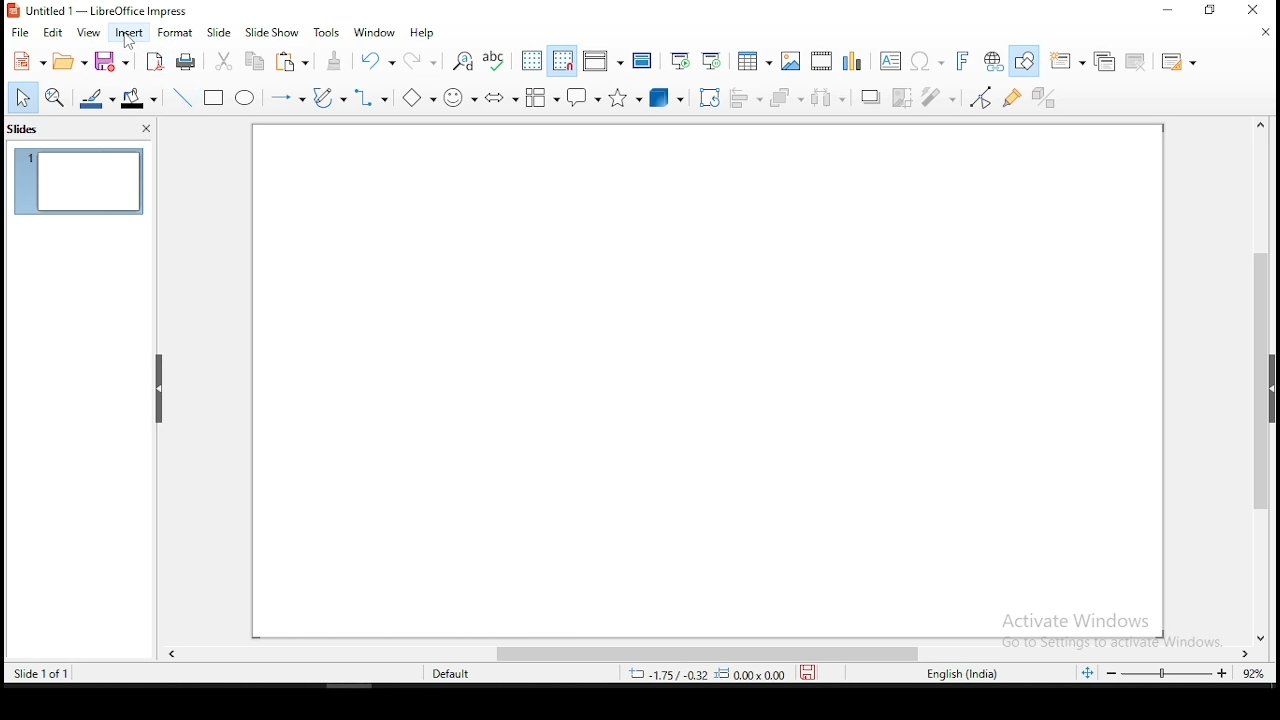 The width and height of the screenshot is (1280, 720). Describe the element at coordinates (1258, 124) in the screenshot. I see `scroll up` at that location.